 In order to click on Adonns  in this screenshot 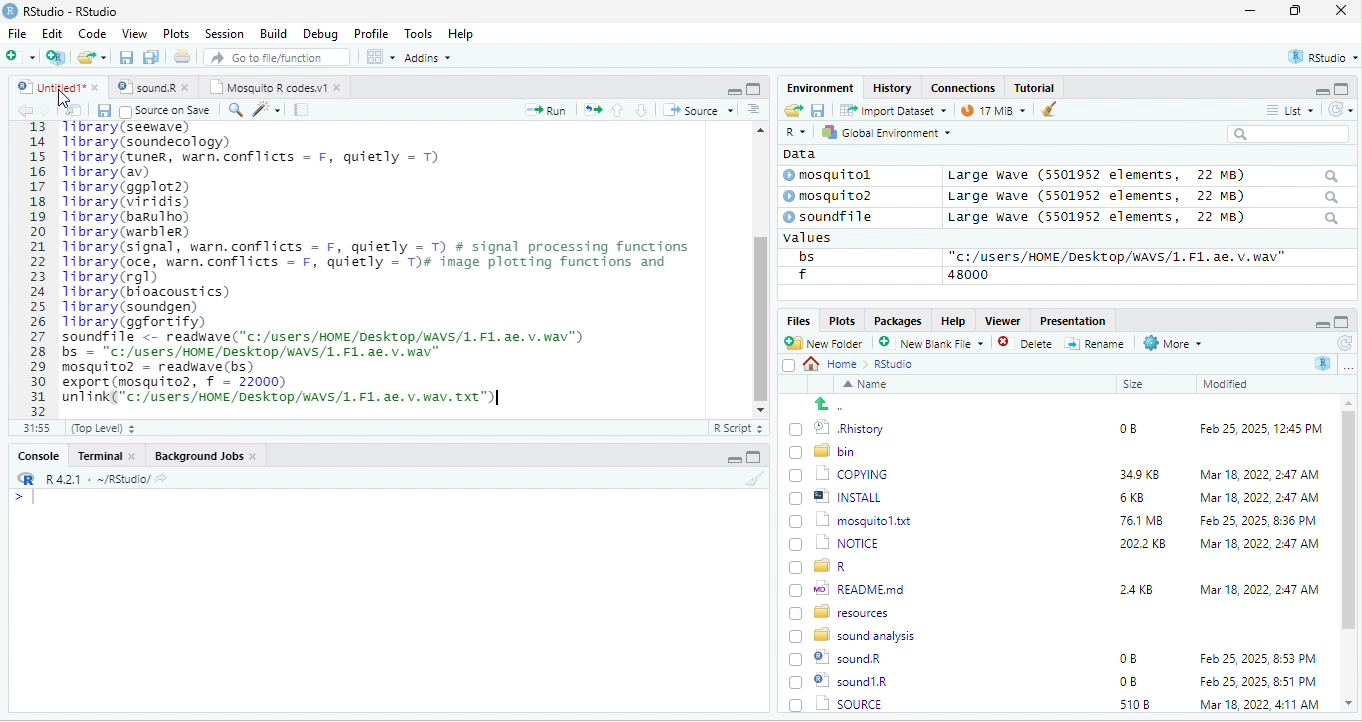, I will do `click(428, 61)`.